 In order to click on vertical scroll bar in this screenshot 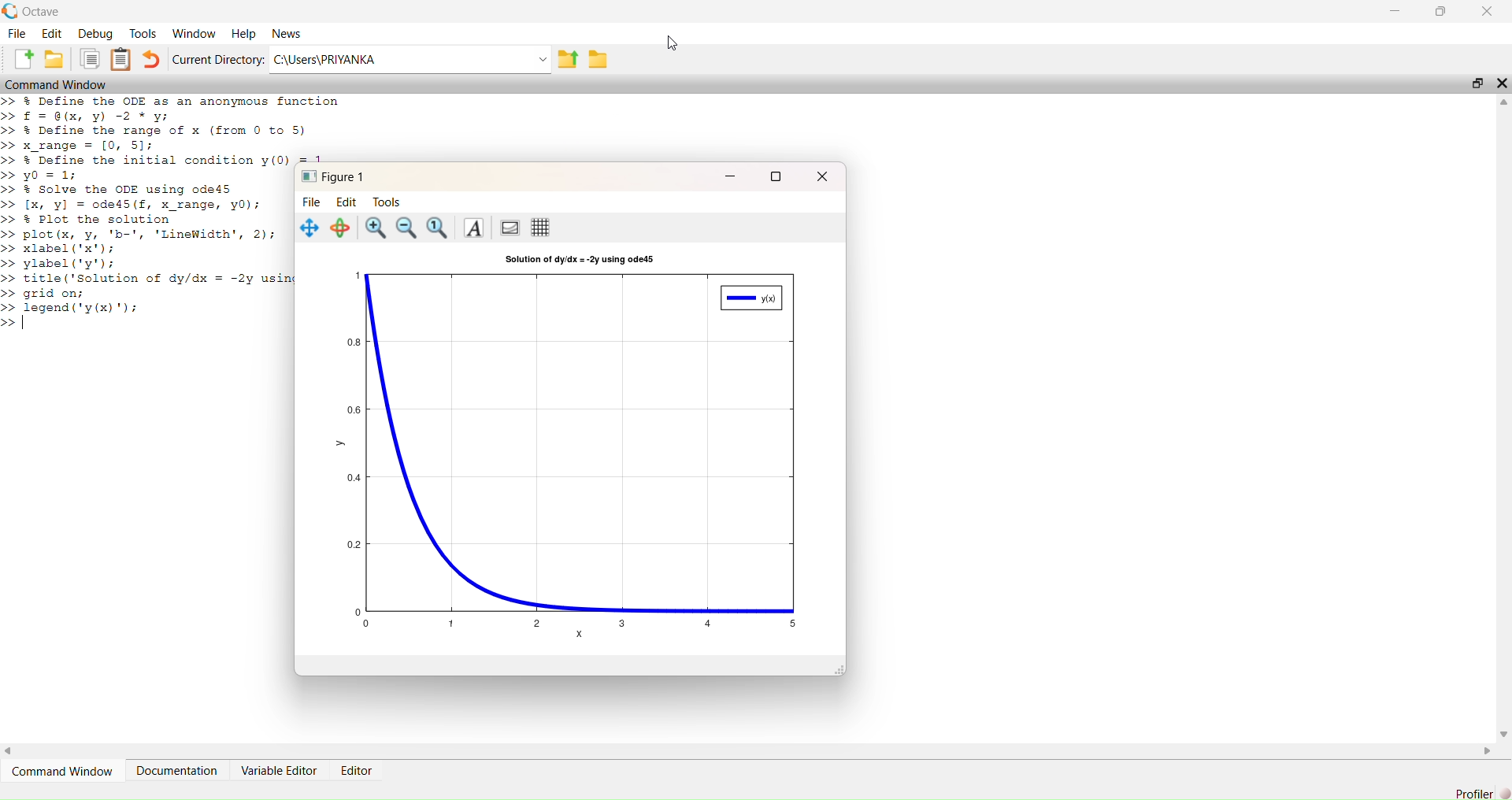, I will do `click(1503, 417)`.